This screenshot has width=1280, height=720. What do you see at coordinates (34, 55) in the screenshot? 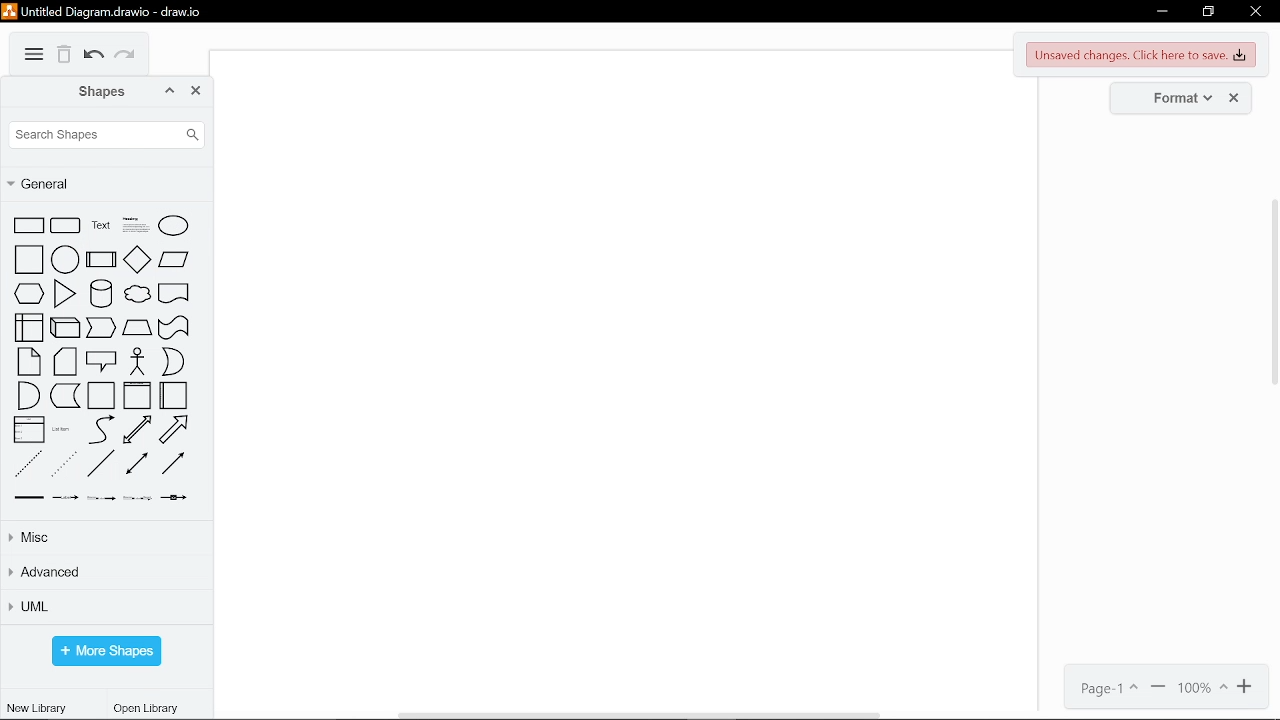
I see `diagram` at bounding box center [34, 55].